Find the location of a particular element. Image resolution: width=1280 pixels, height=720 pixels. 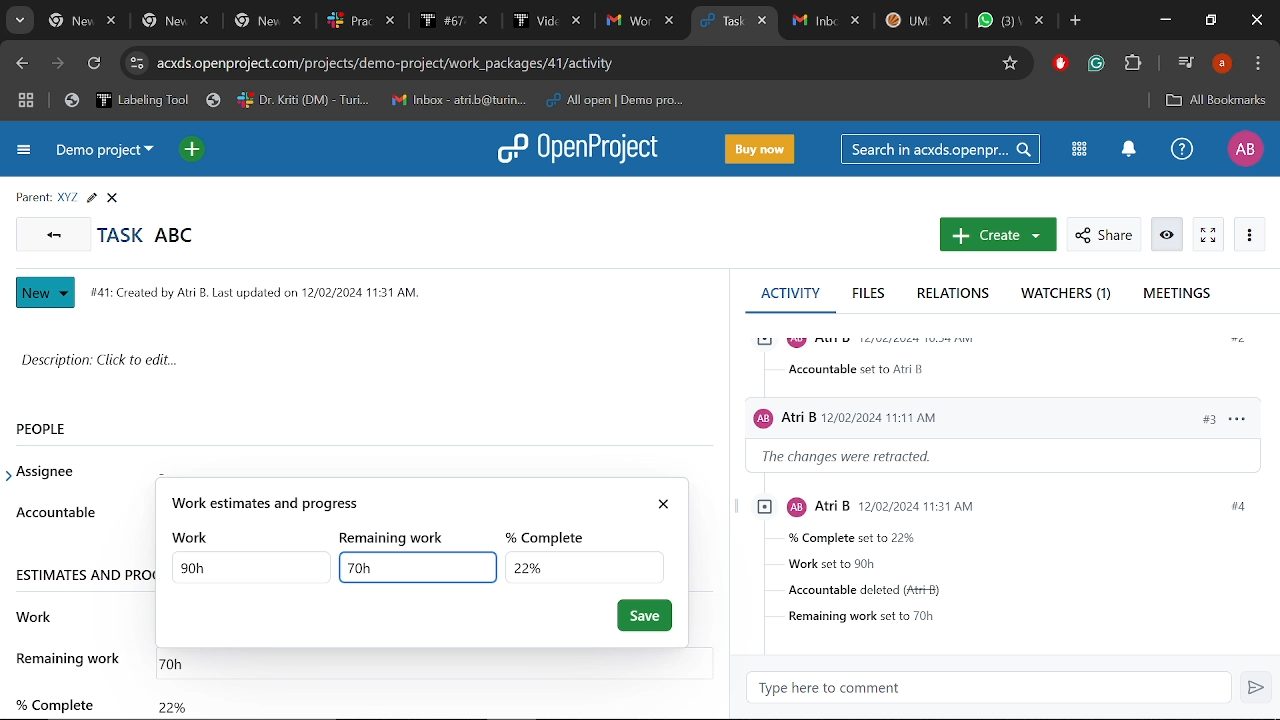

scrollbar is located at coordinates (725, 436).